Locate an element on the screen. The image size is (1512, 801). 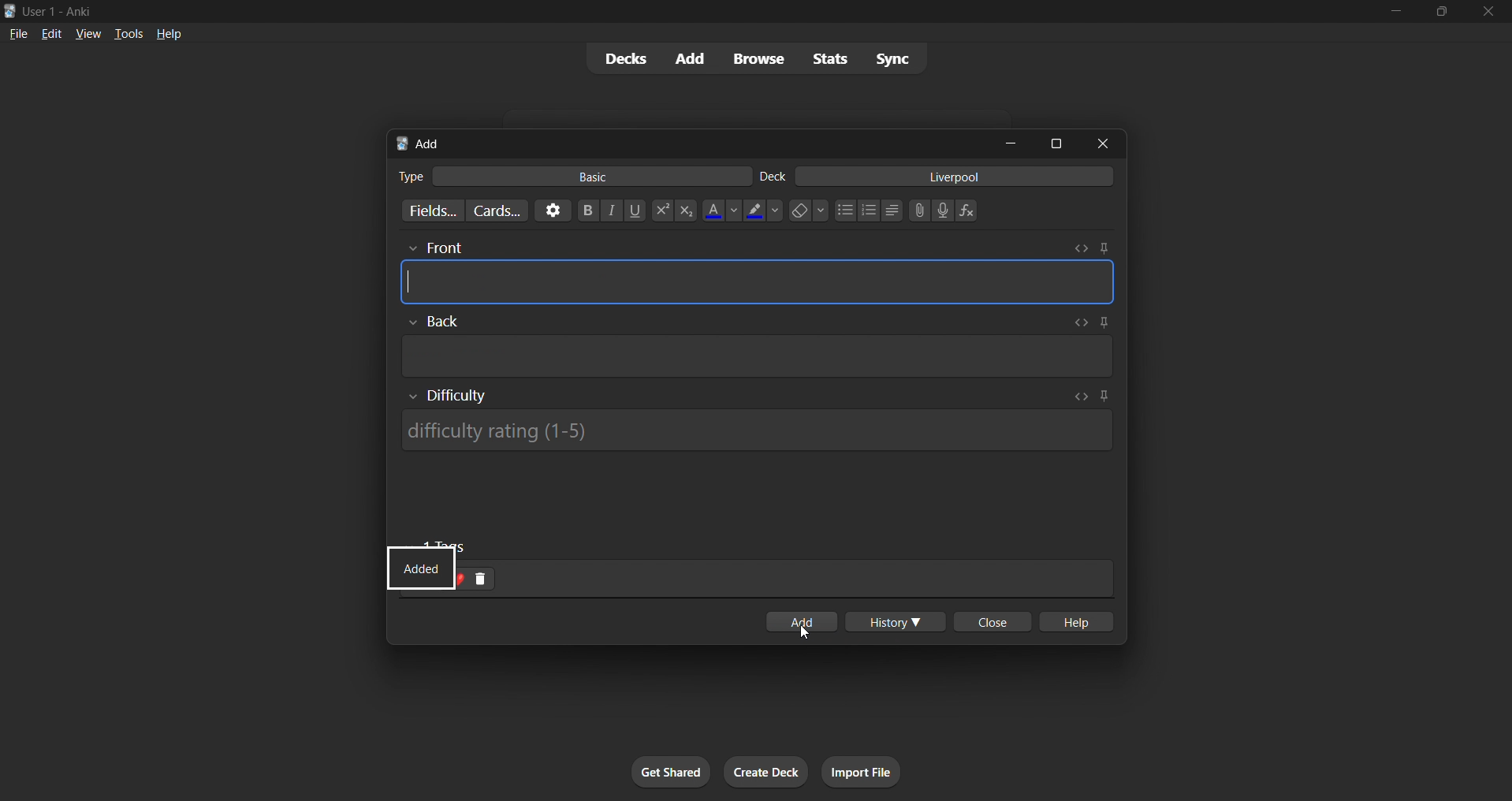
multilevel list is located at coordinates (893, 212).